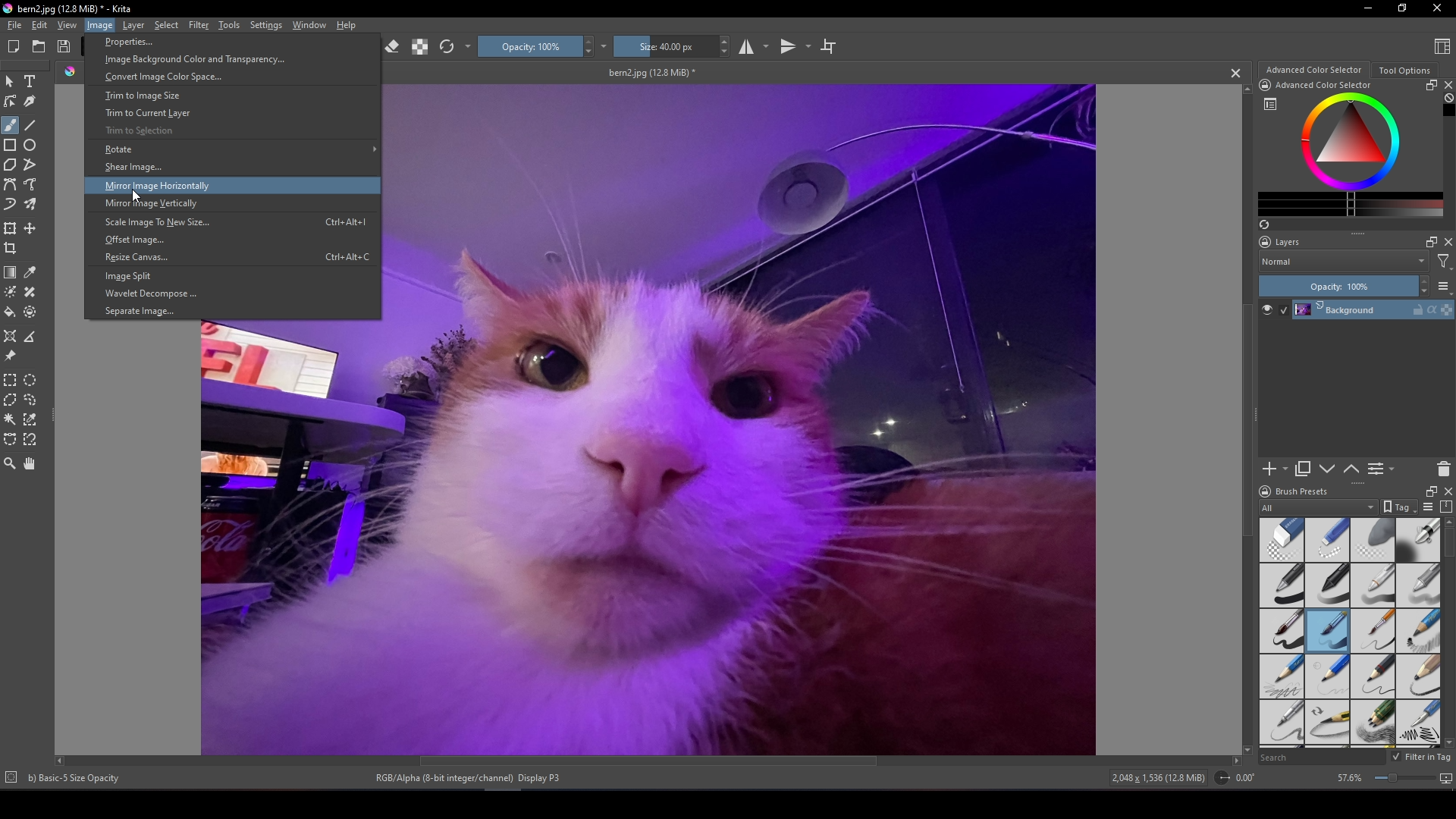 The height and width of the screenshot is (819, 1456). What do you see at coordinates (1265, 85) in the screenshot?
I see `lock docker` at bounding box center [1265, 85].